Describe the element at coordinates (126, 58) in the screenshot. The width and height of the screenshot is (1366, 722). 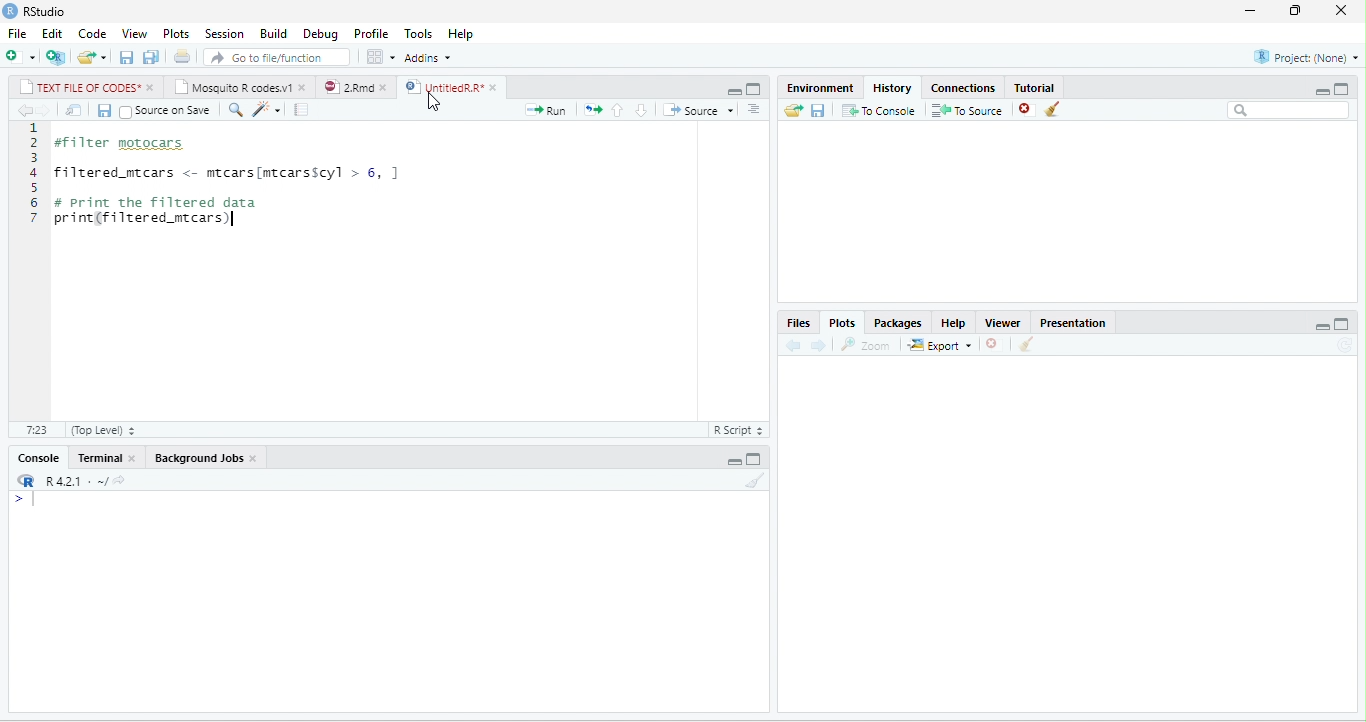
I see `save` at that location.